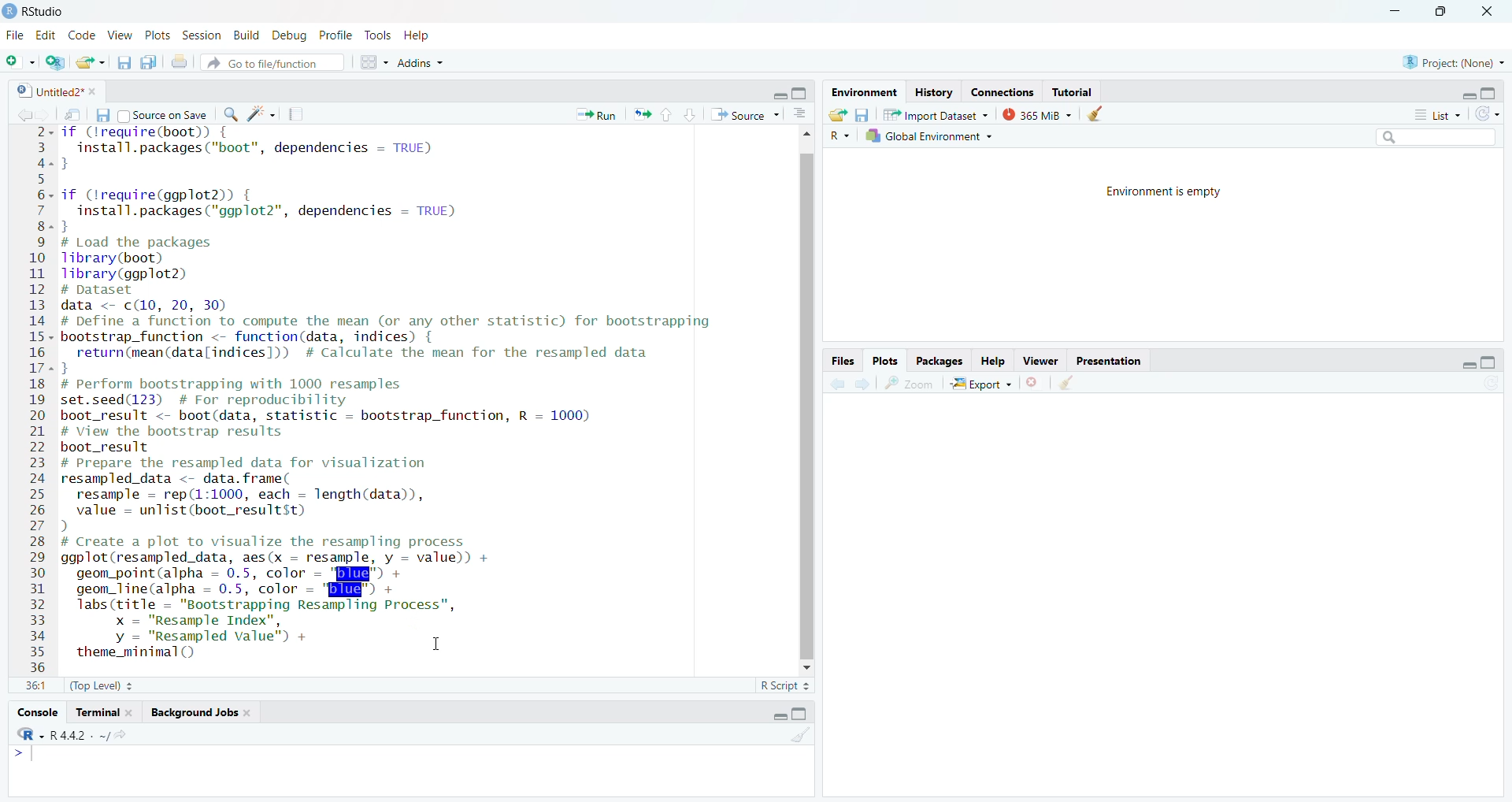  Describe the element at coordinates (149, 60) in the screenshot. I see `save all open documents` at that location.